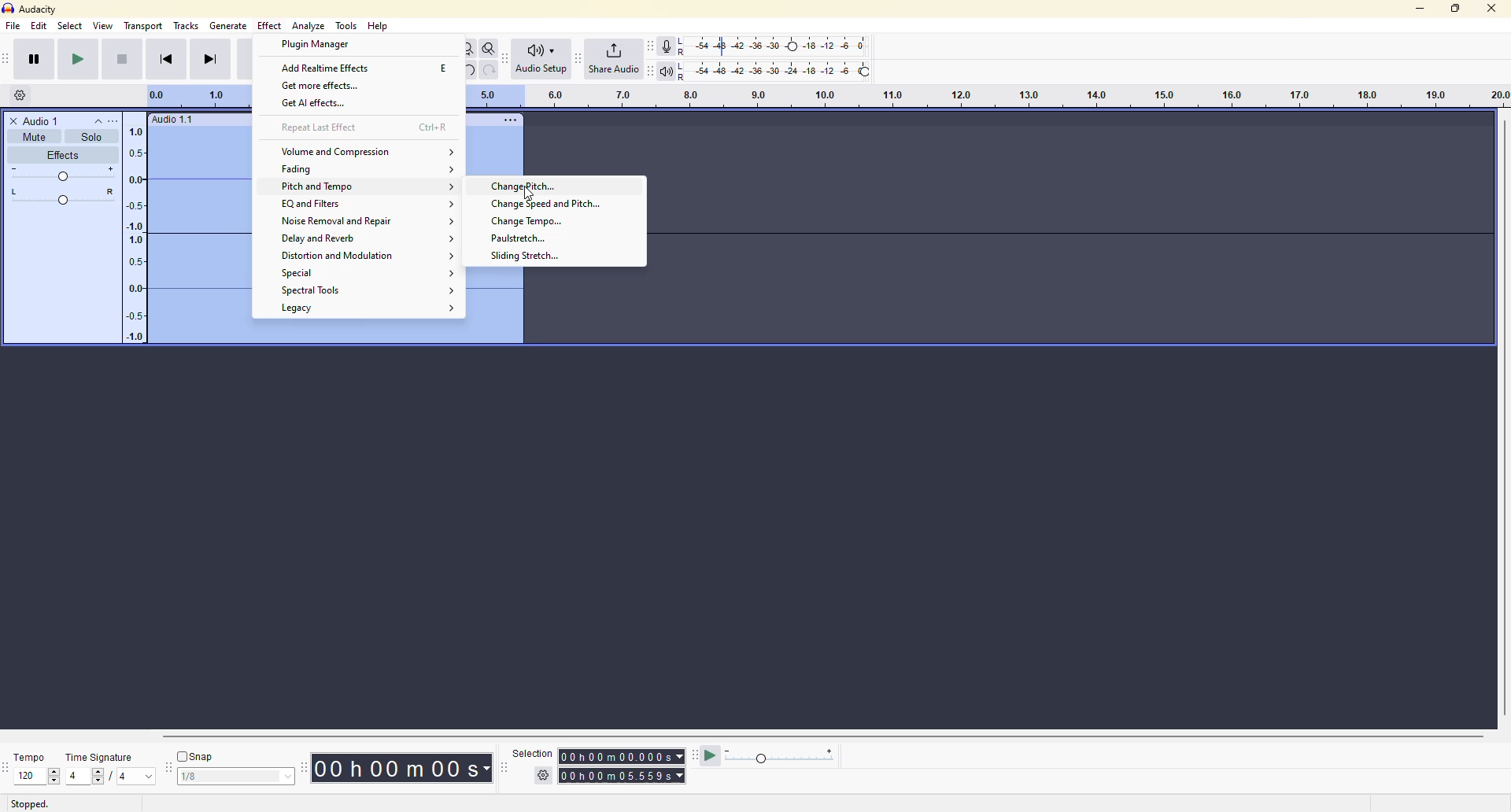  What do you see at coordinates (37, 120) in the screenshot?
I see `audio 1` at bounding box center [37, 120].